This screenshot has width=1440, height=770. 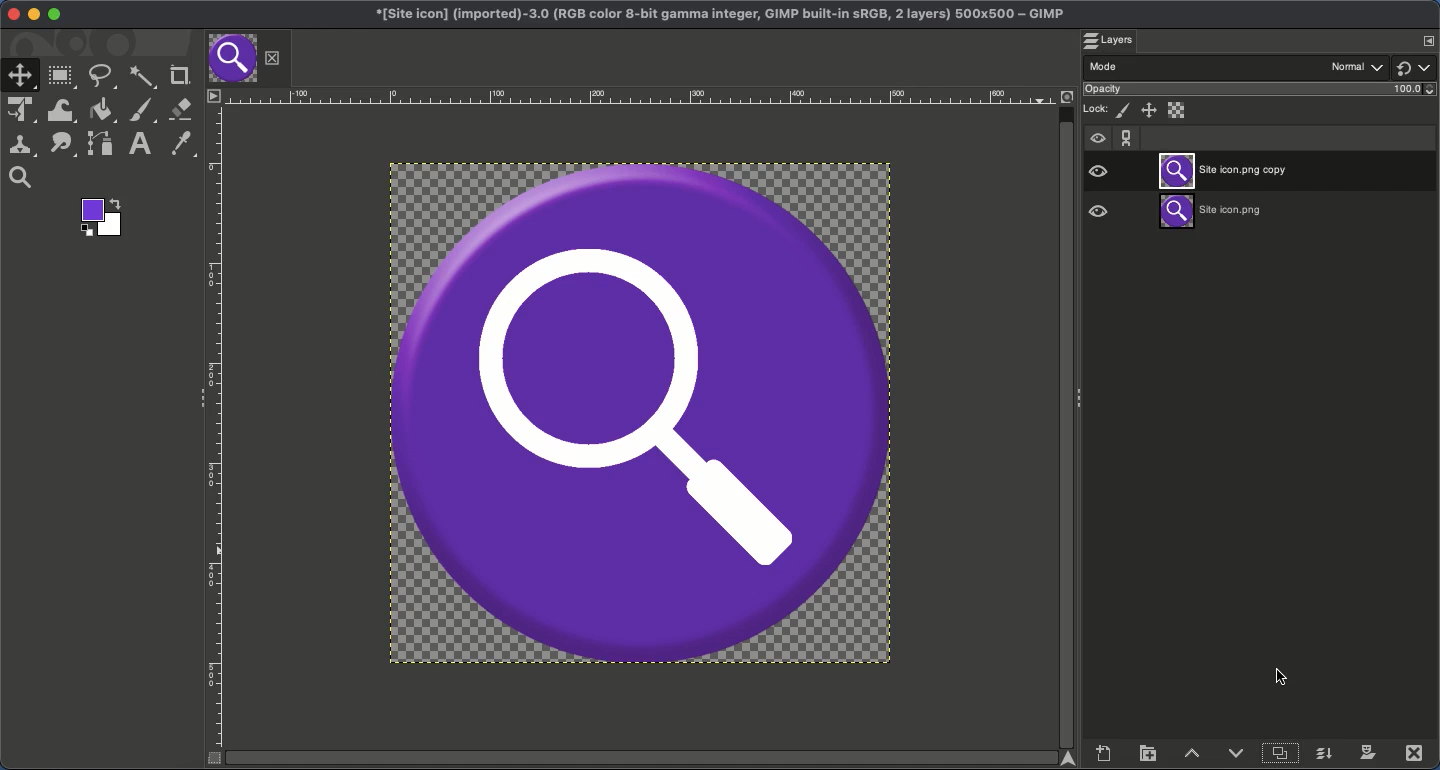 What do you see at coordinates (212, 95) in the screenshot?
I see `Menu` at bounding box center [212, 95].